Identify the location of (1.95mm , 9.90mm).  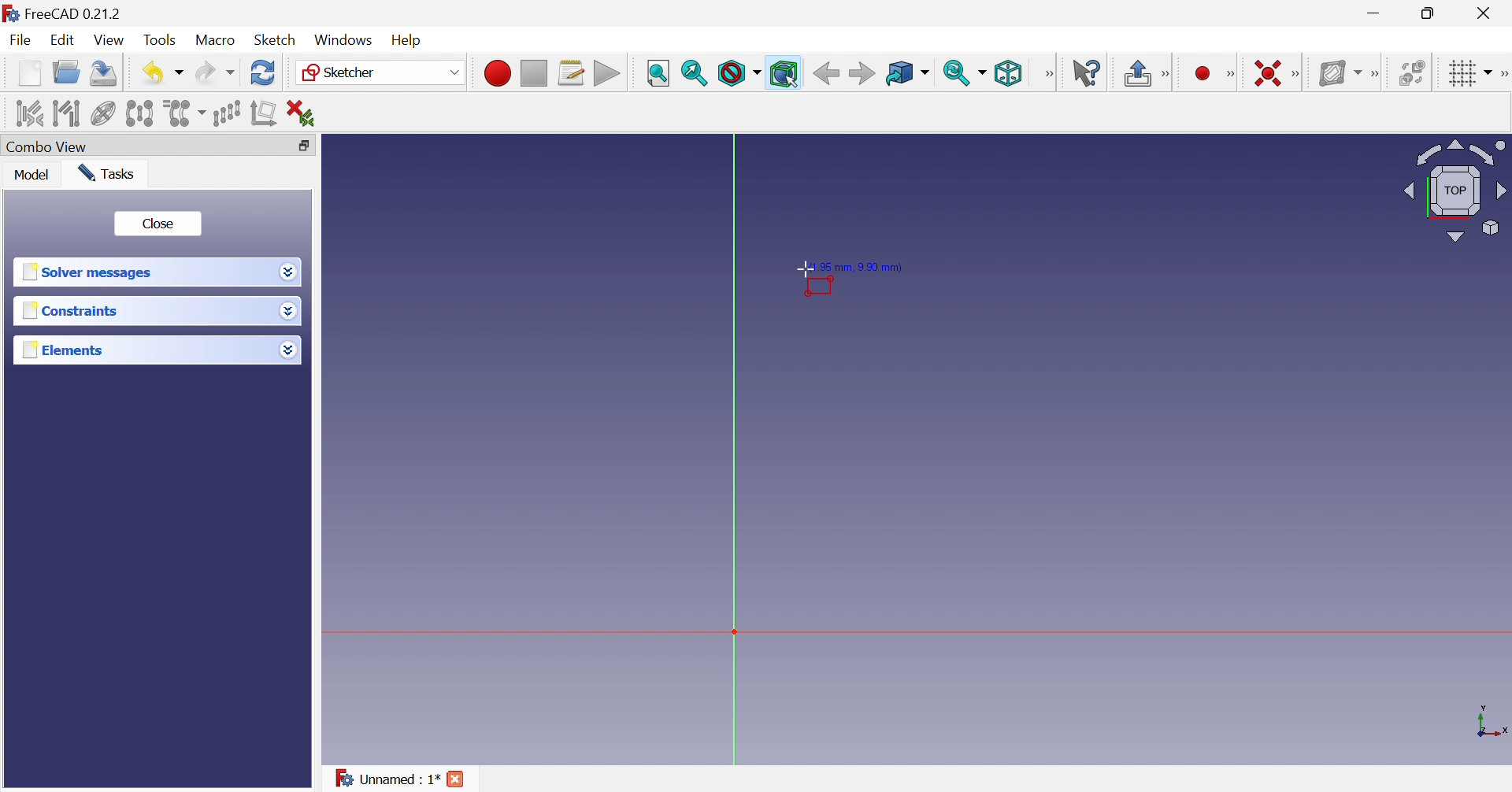
(856, 268).